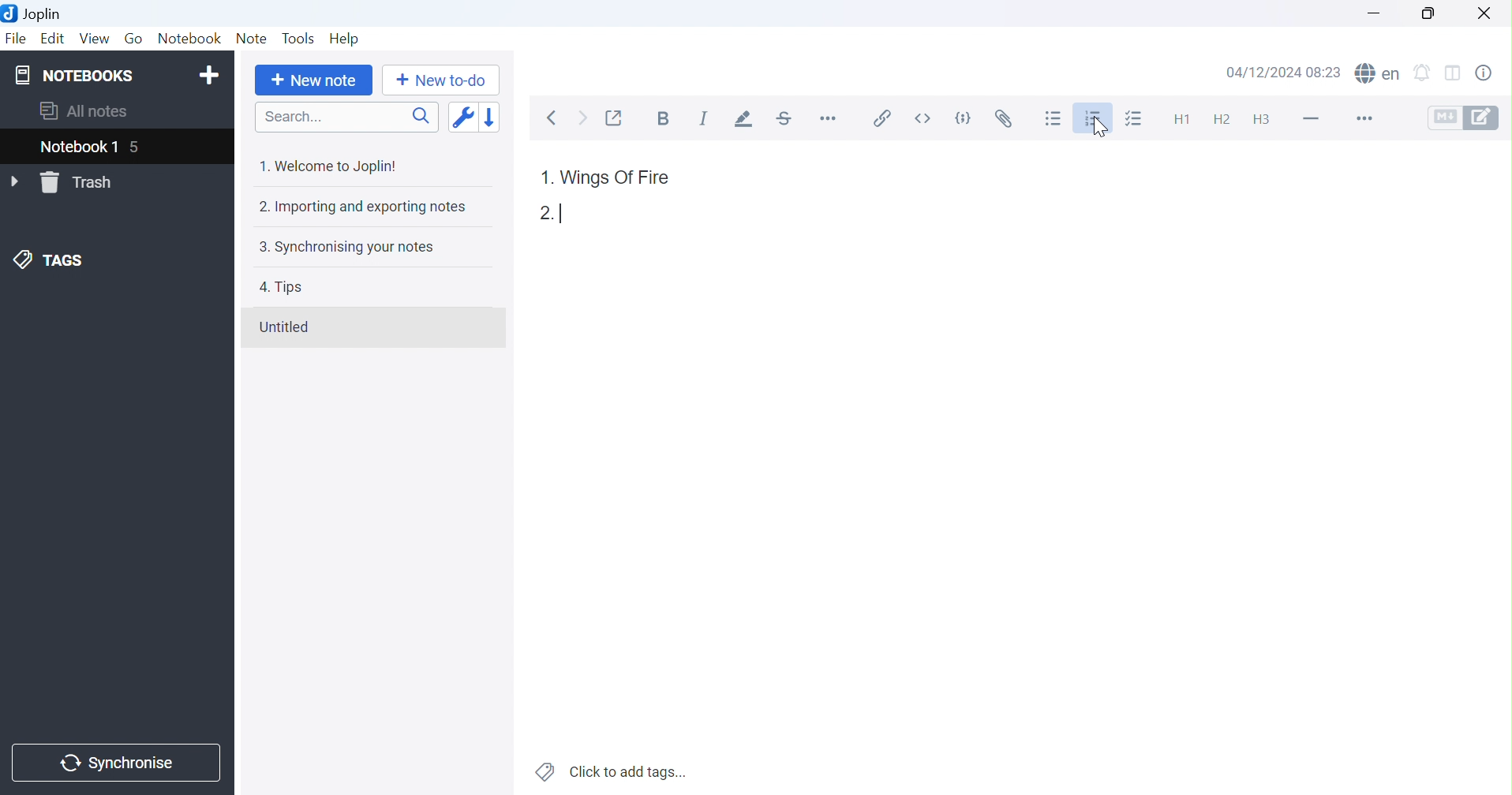 The image size is (1512, 795). I want to click on Forward, so click(582, 118).